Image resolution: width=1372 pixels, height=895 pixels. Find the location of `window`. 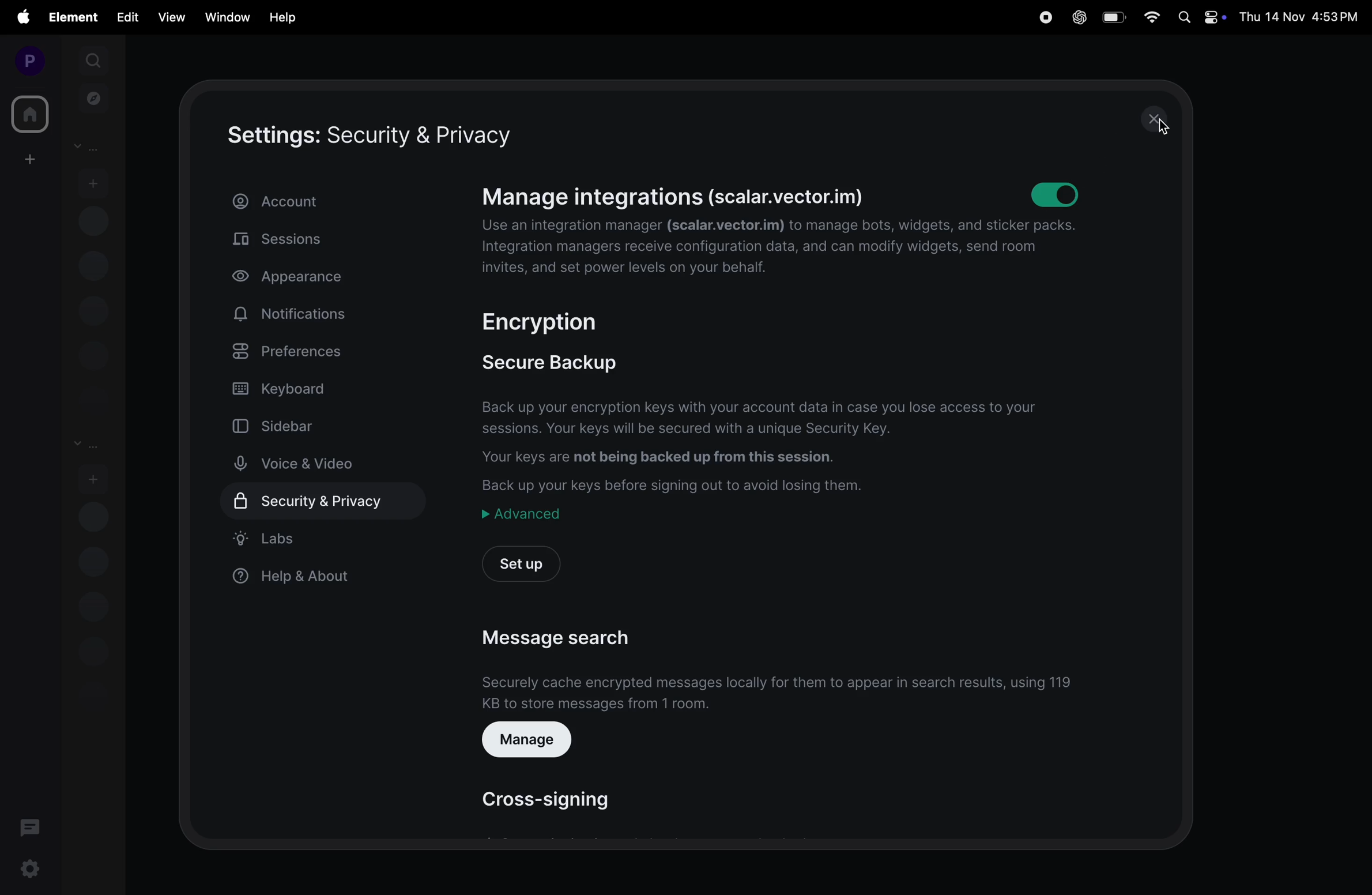

window is located at coordinates (226, 17).